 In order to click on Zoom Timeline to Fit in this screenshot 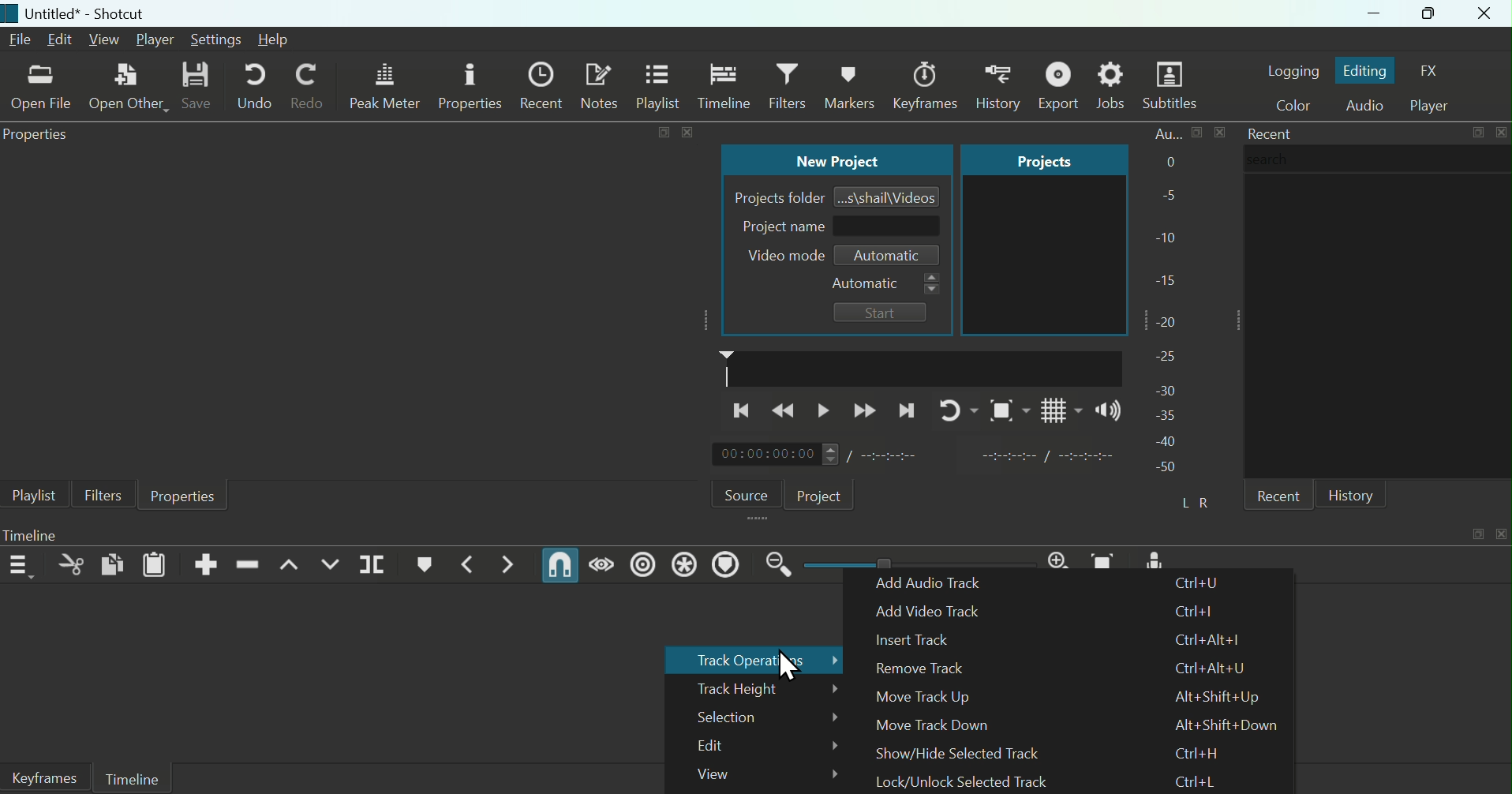, I will do `click(1108, 559)`.